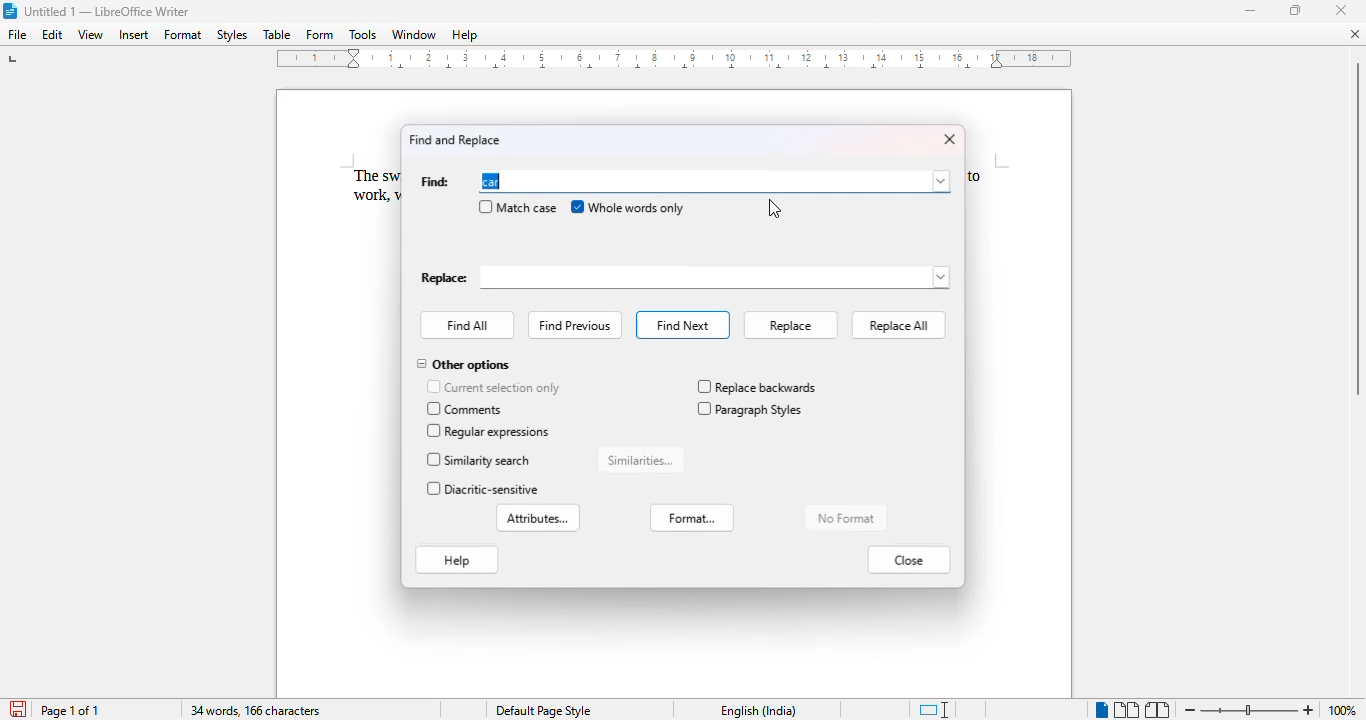 The height and width of the screenshot is (720, 1366). What do you see at coordinates (540, 518) in the screenshot?
I see `attributes` at bounding box center [540, 518].